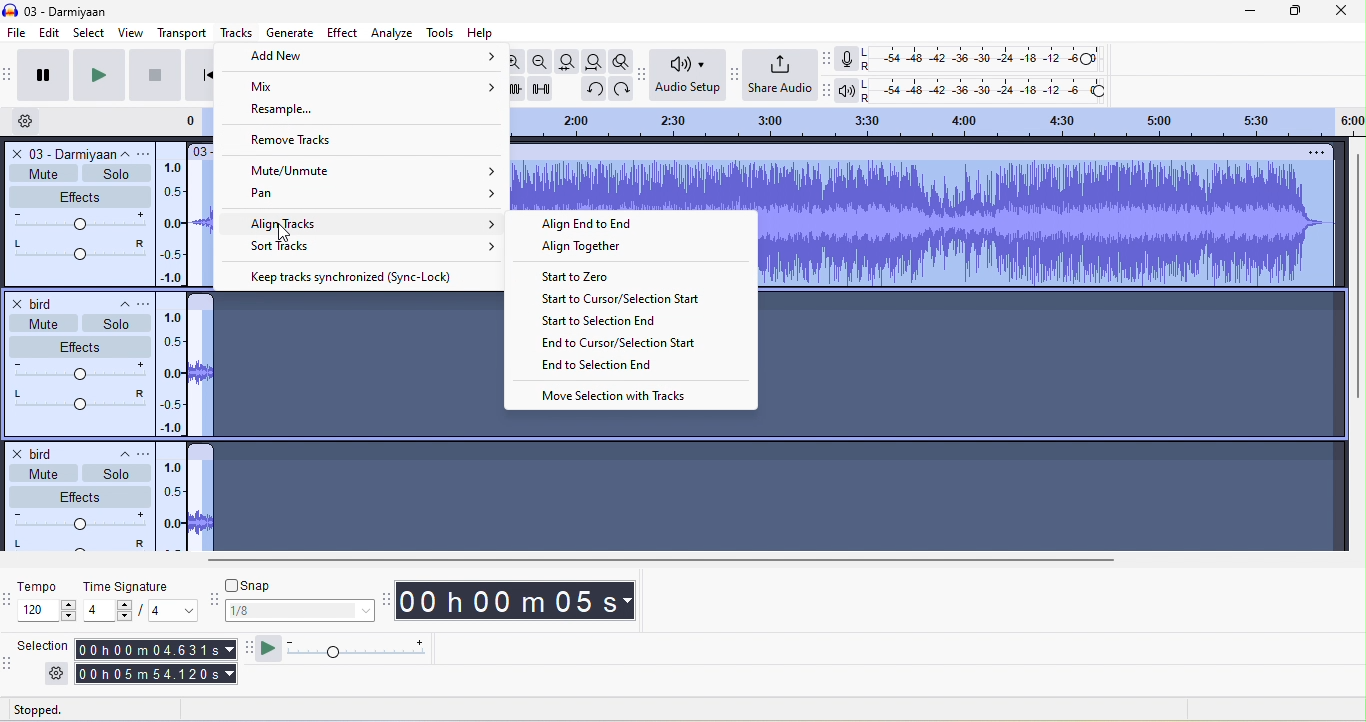 This screenshot has width=1366, height=722. I want to click on minimize, so click(1234, 11).